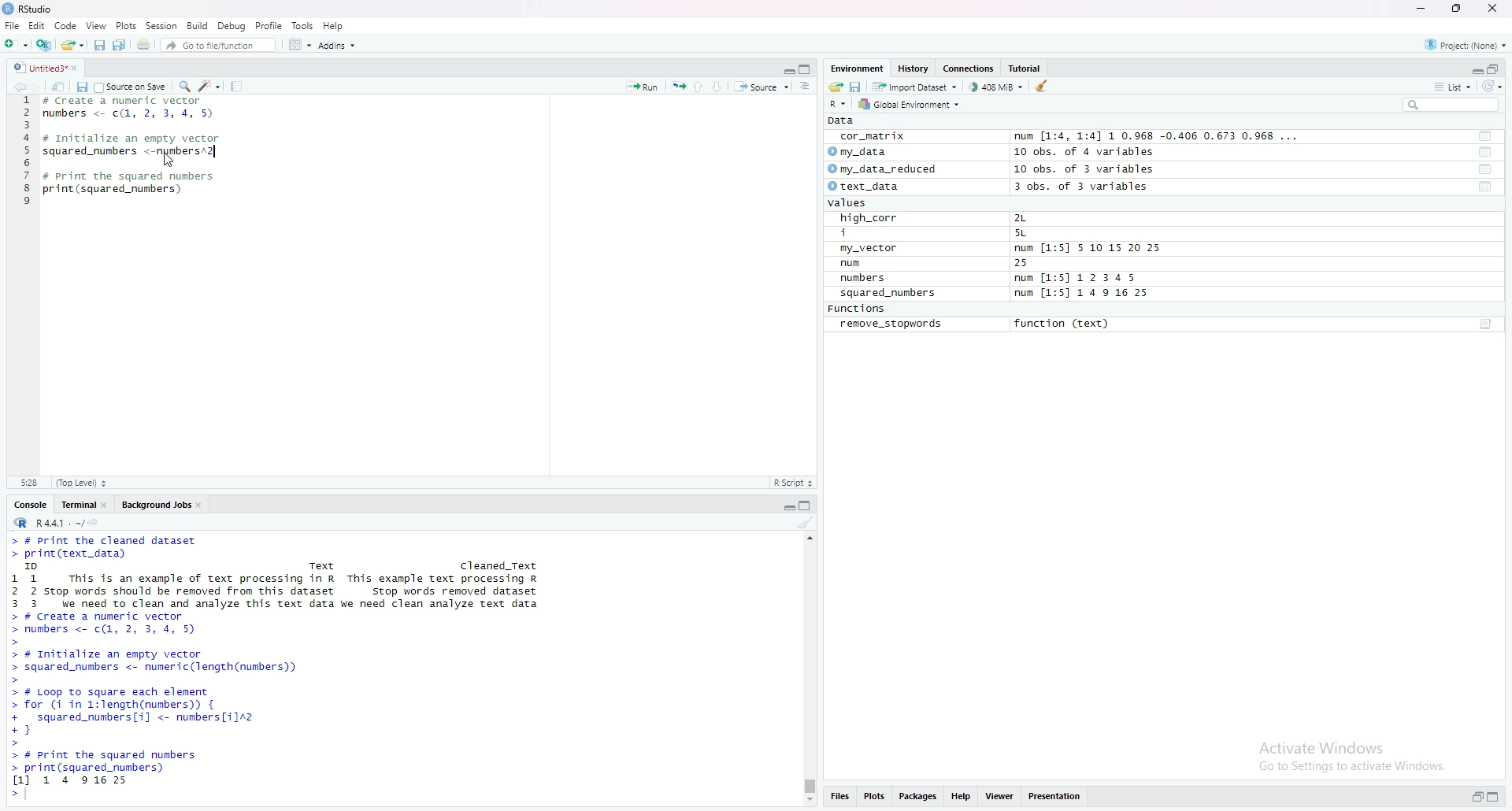 The height and width of the screenshot is (811, 1512). What do you see at coordinates (217, 43) in the screenshot?
I see `Go to file/function` at bounding box center [217, 43].